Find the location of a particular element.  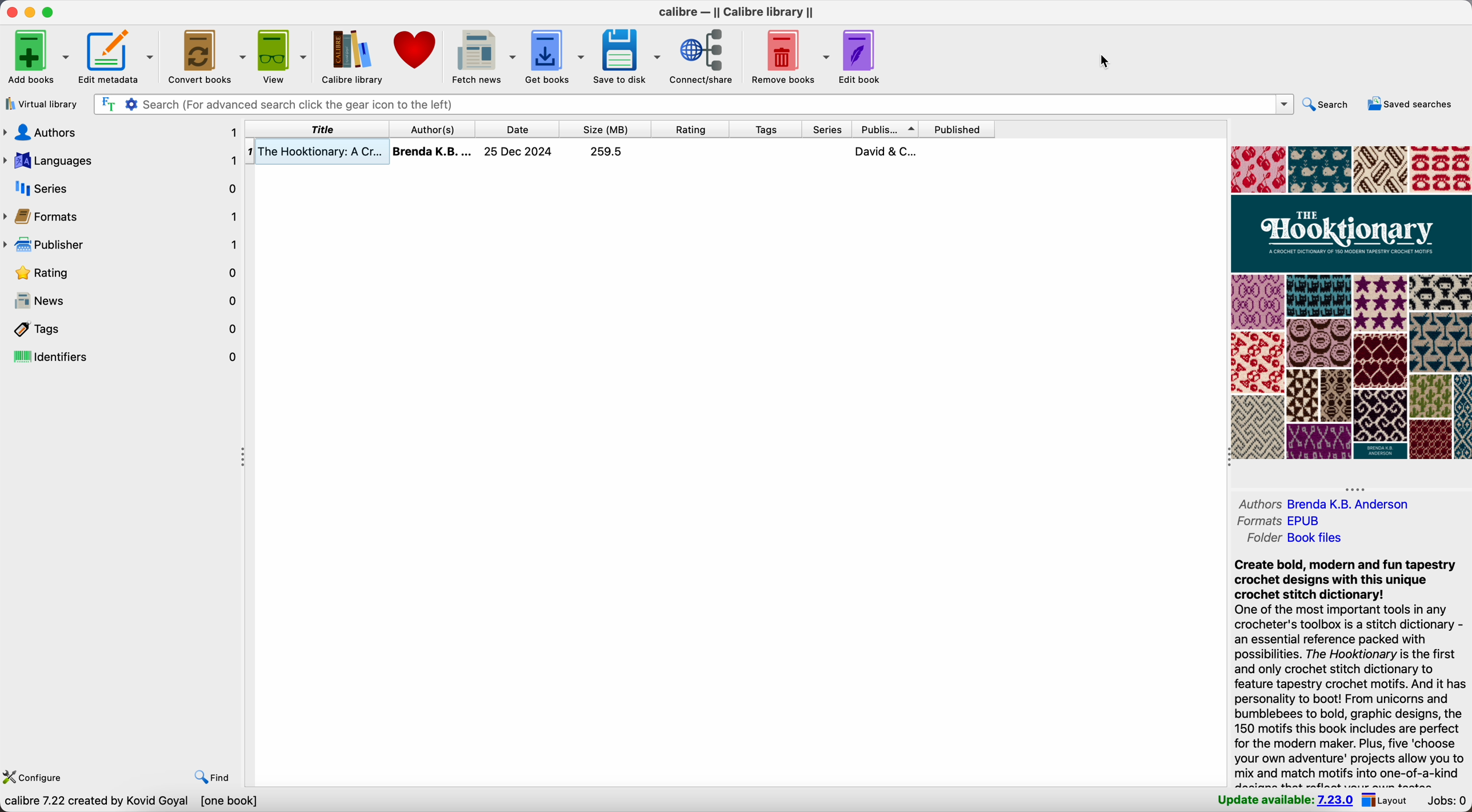

published is located at coordinates (956, 129).